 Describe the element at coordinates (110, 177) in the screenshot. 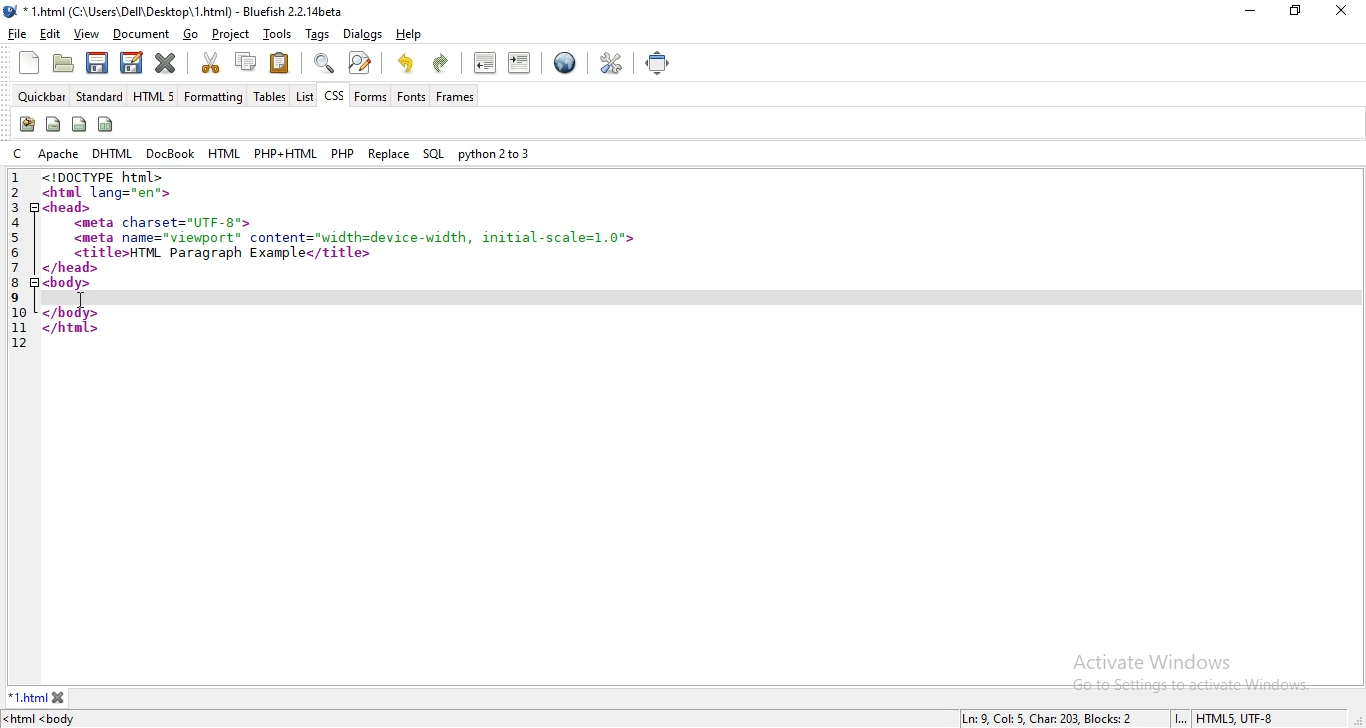

I see `<!DOCTYPE html>` at that location.